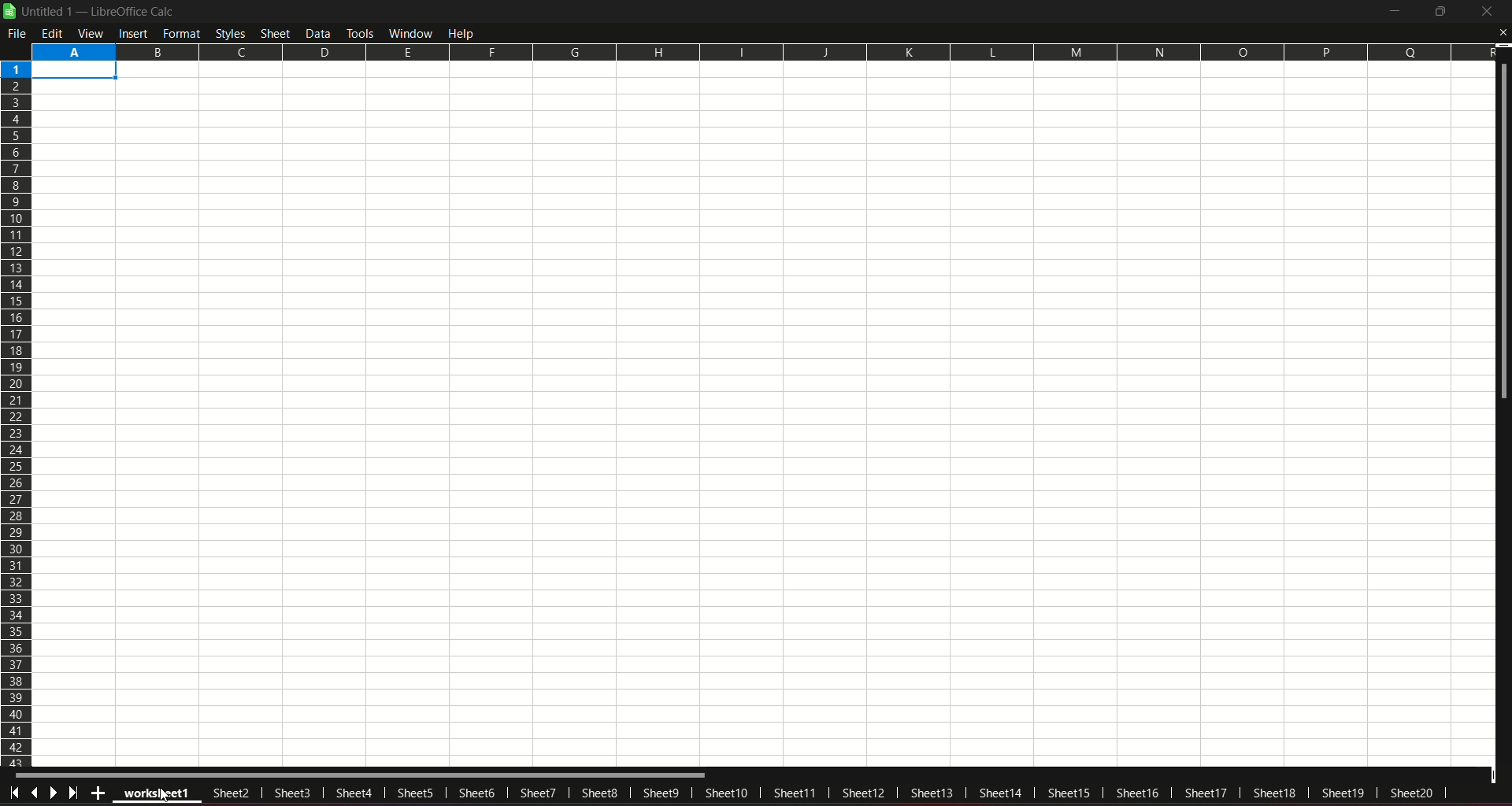 Image resolution: width=1512 pixels, height=806 pixels. I want to click on sheet7, so click(541, 792).